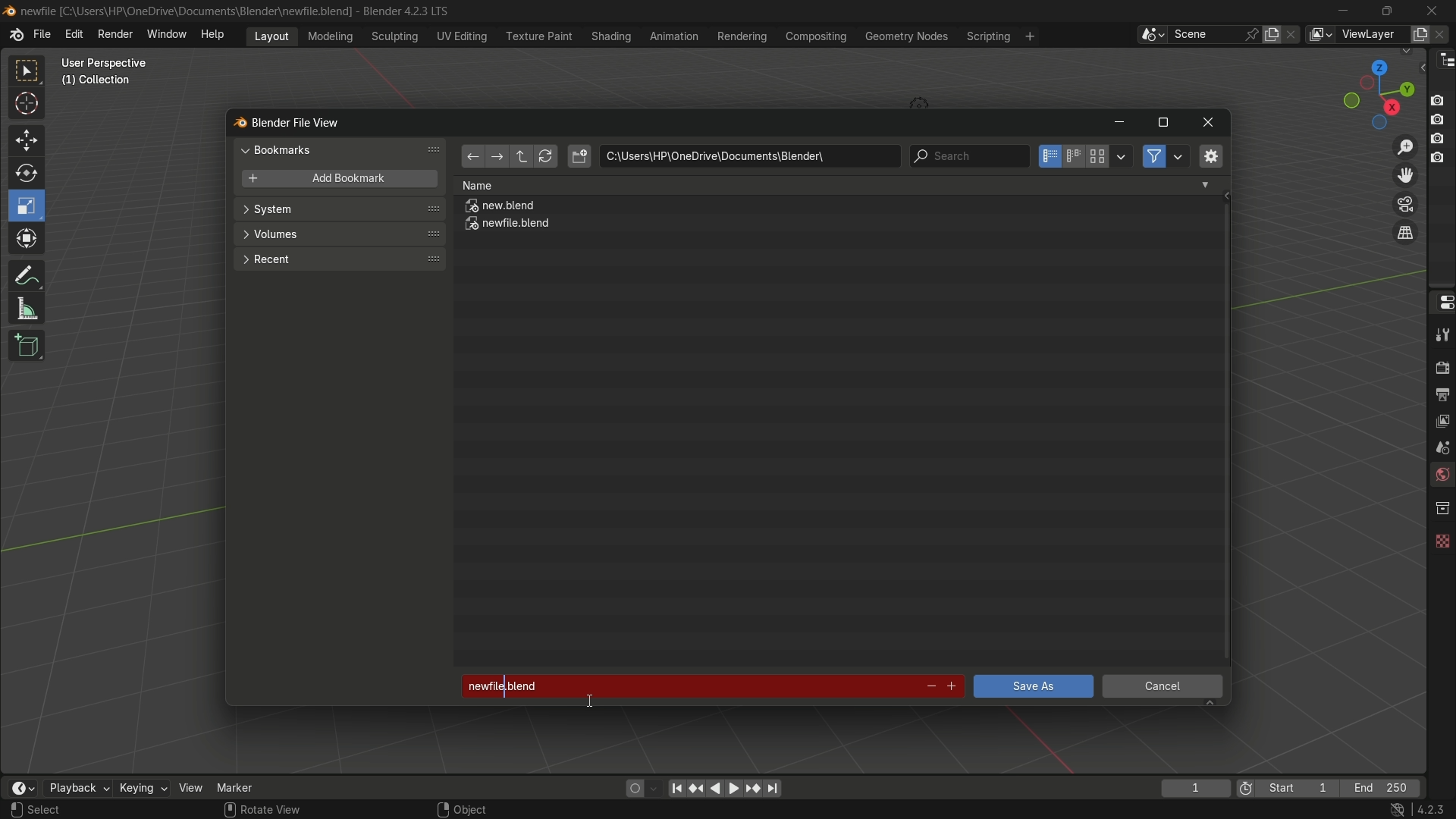  What do you see at coordinates (1443, 127) in the screenshot?
I see `Buttons` at bounding box center [1443, 127].